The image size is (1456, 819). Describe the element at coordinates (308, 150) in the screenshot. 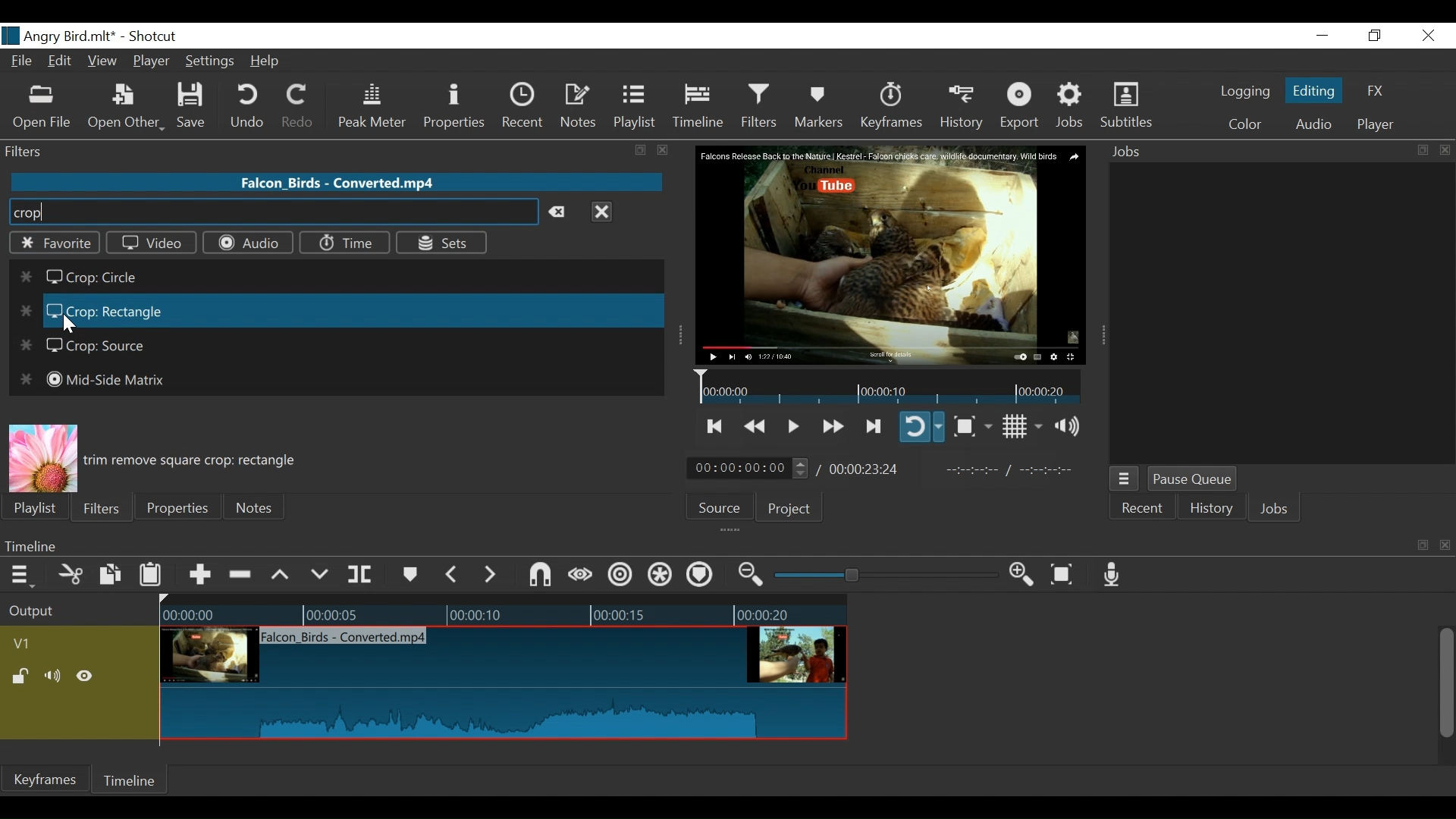

I see `filters` at that location.